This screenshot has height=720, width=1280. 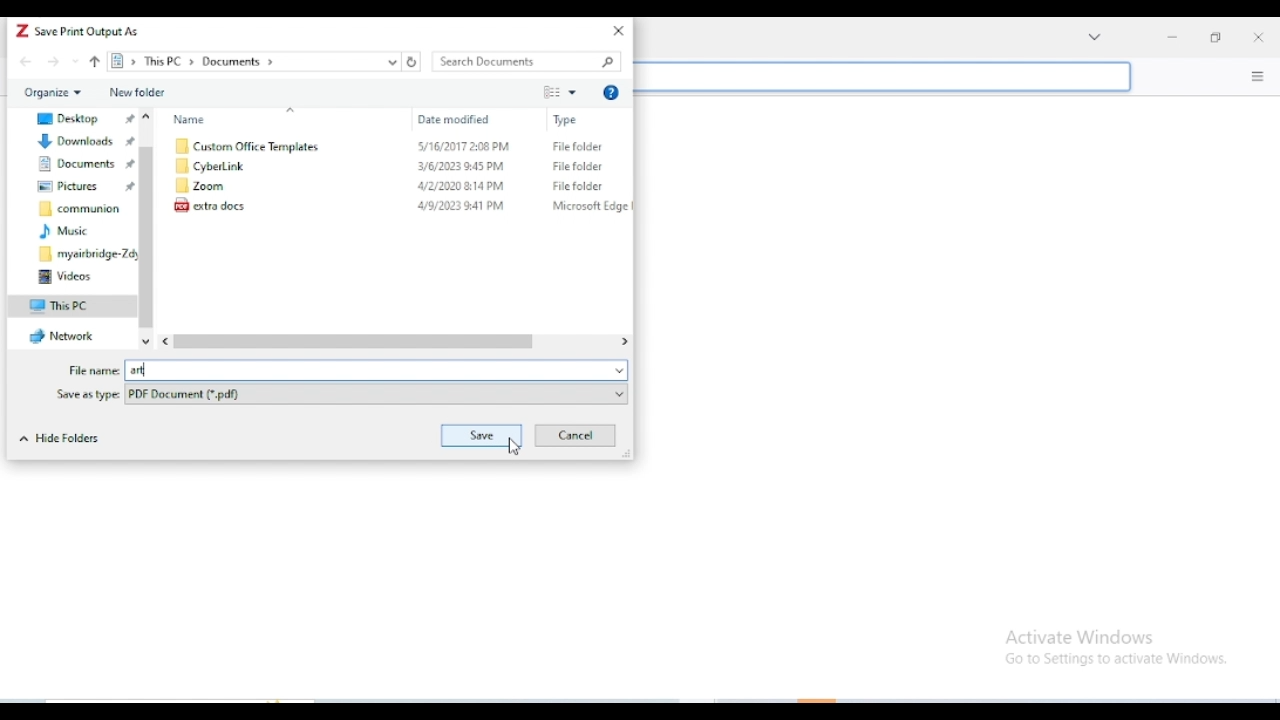 I want to click on Save as type:, so click(x=87, y=395).